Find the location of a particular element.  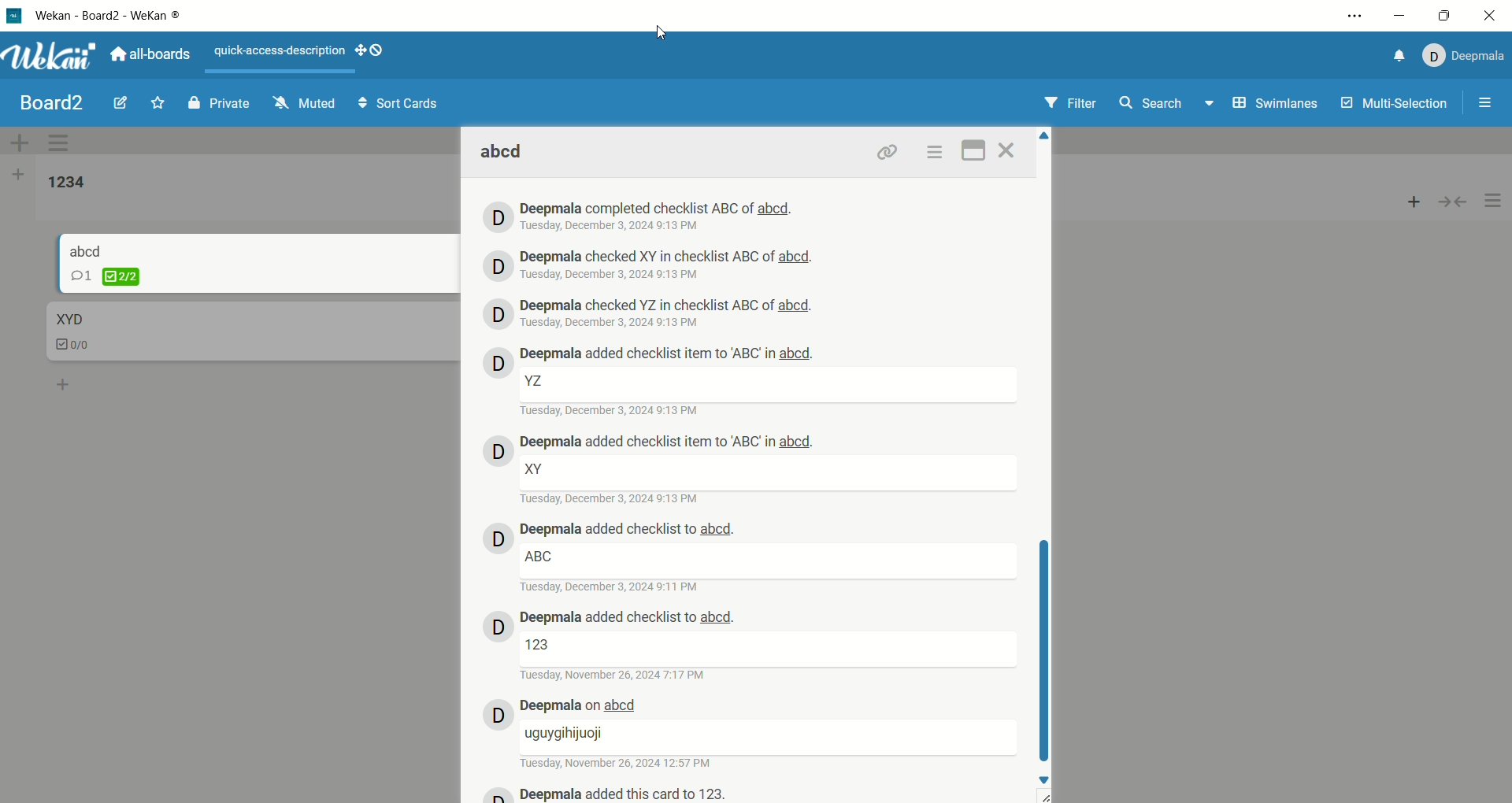

date and time is located at coordinates (614, 226).